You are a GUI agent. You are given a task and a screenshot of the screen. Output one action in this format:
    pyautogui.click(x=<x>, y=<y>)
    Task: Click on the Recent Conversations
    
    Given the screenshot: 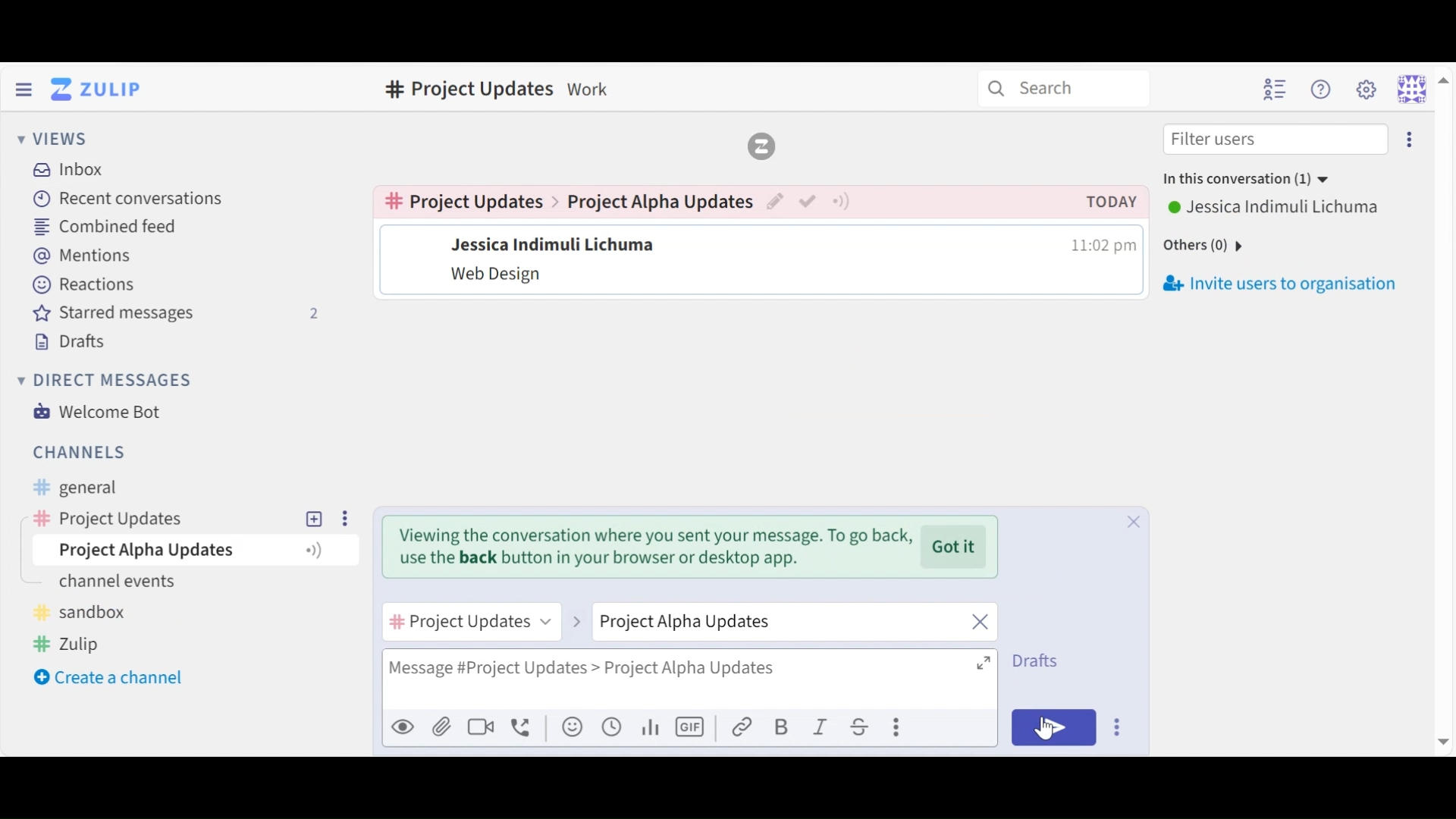 What is the action you would take?
    pyautogui.click(x=130, y=199)
    